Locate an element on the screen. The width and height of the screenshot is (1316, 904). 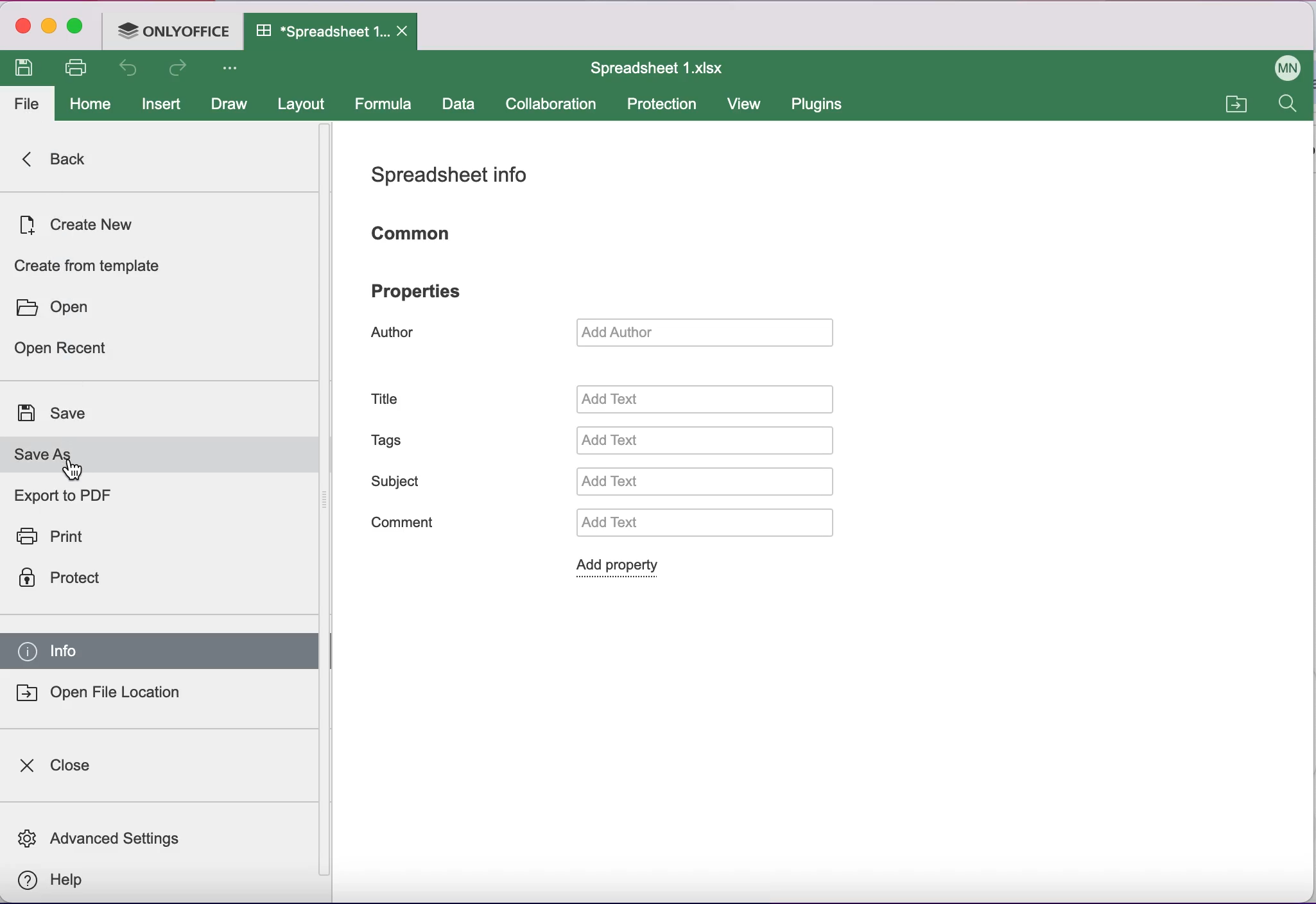
add text is located at coordinates (716, 482).